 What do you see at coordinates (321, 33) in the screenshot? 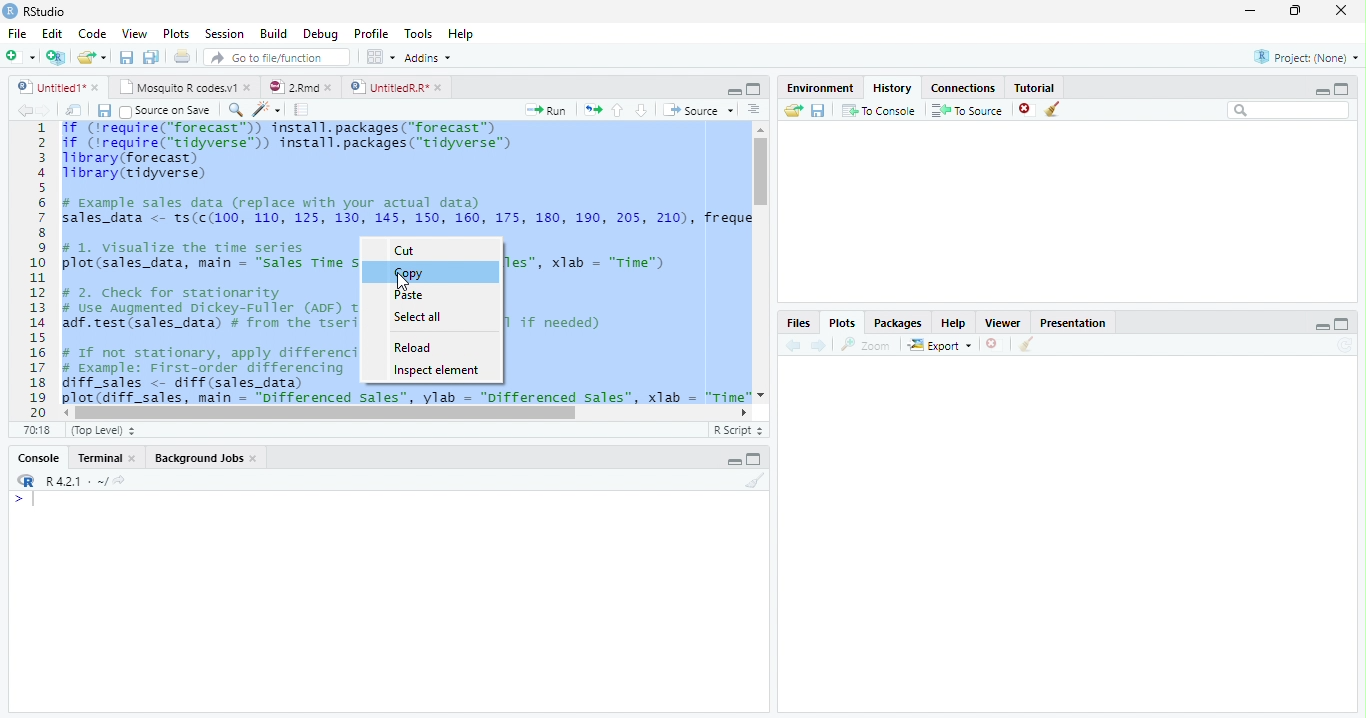
I see `Debug` at bounding box center [321, 33].